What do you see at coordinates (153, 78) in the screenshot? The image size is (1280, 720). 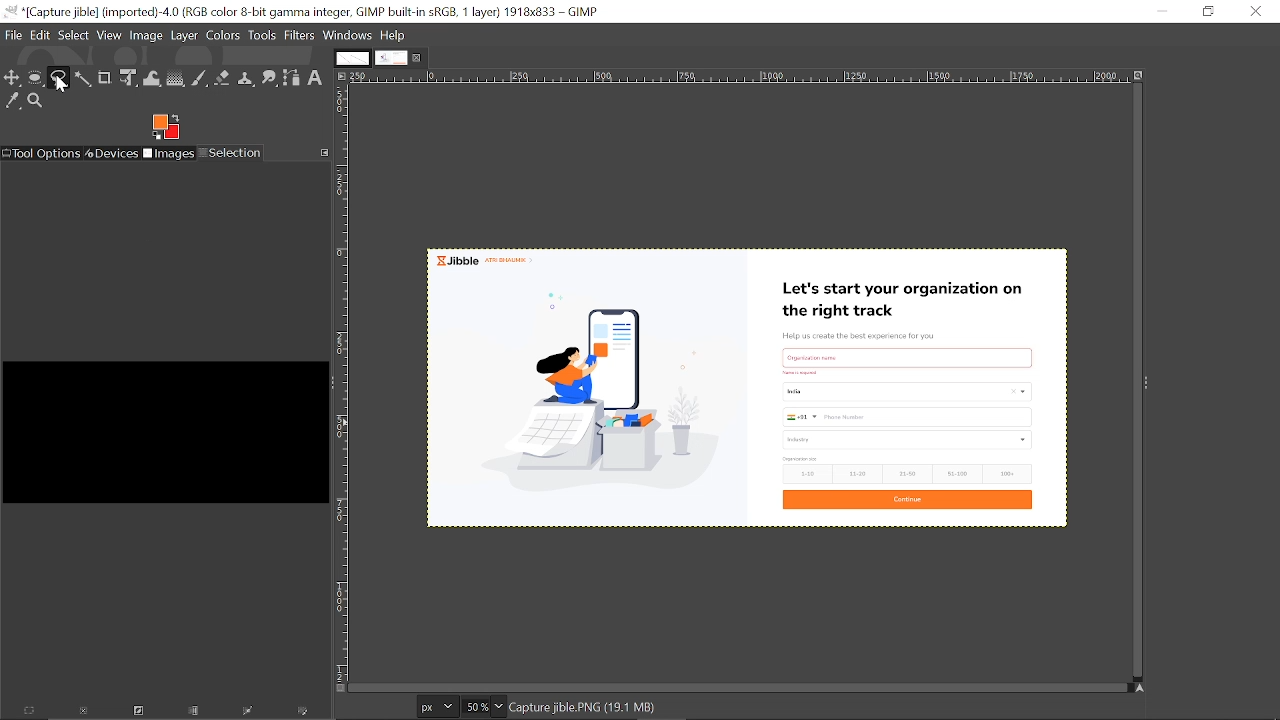 I see `Wrap text tool` at bounding box center [153, 78].